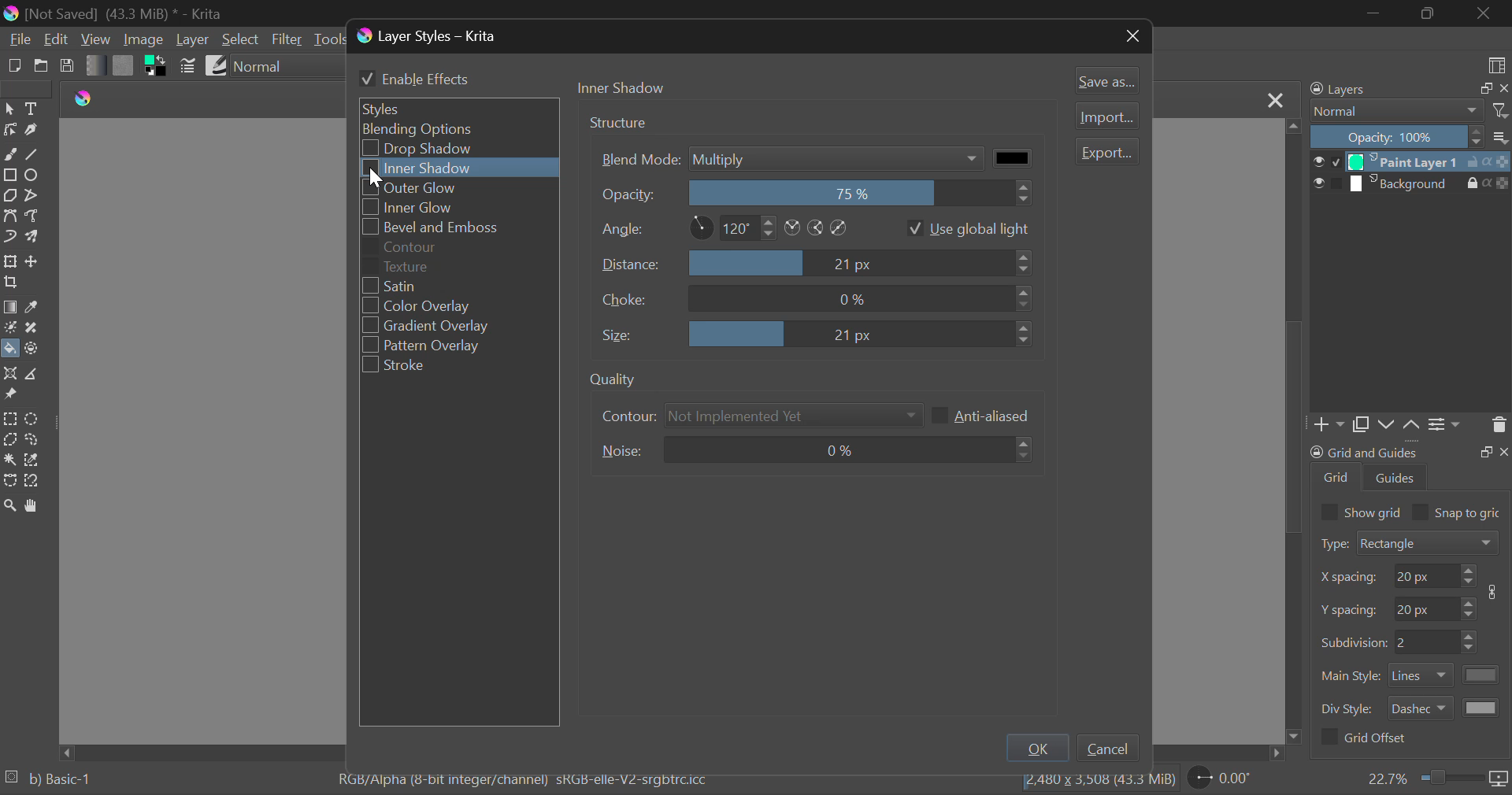  Describe the element at coordinates (9, 261) in the screenshot. I see `Transform Layer` at that location.